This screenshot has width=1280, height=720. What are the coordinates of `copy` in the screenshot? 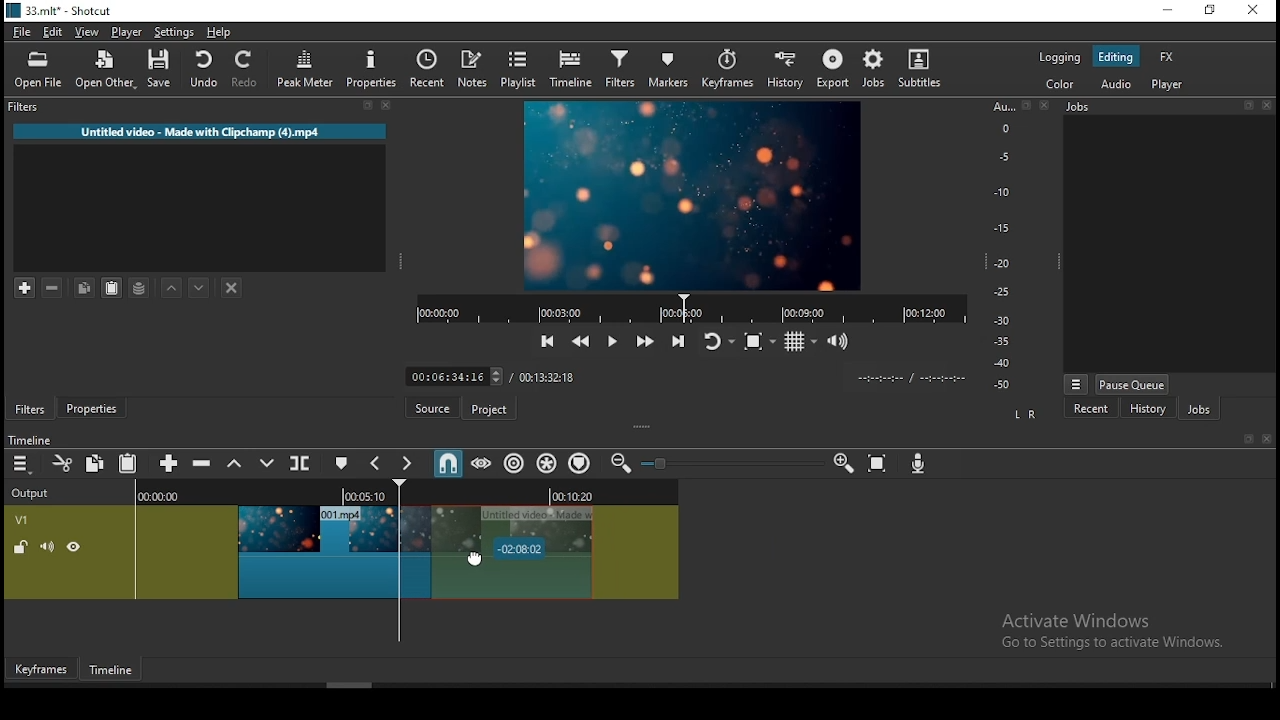 It's located at (98, 463).